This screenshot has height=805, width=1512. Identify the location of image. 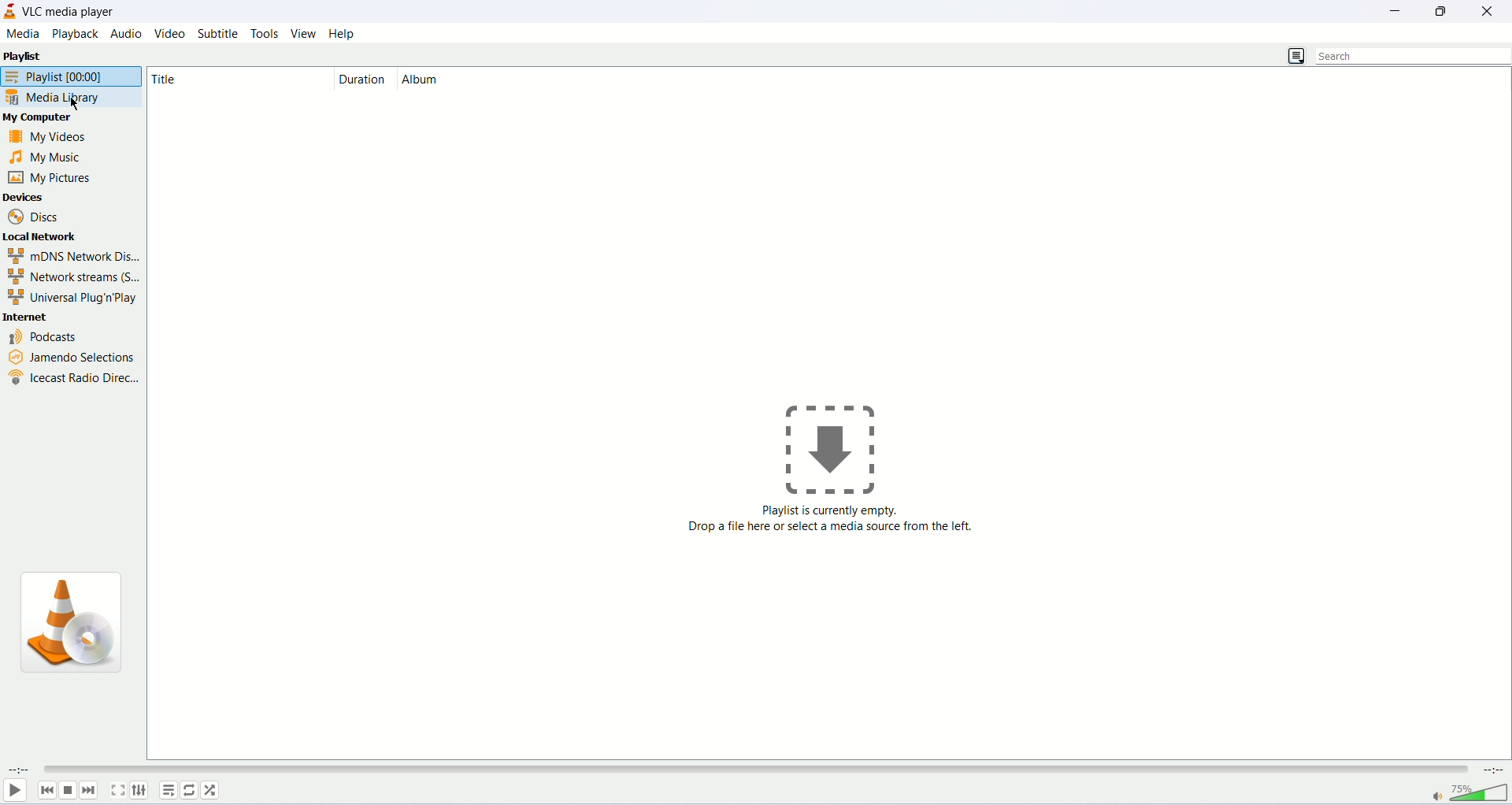
(839, 450).